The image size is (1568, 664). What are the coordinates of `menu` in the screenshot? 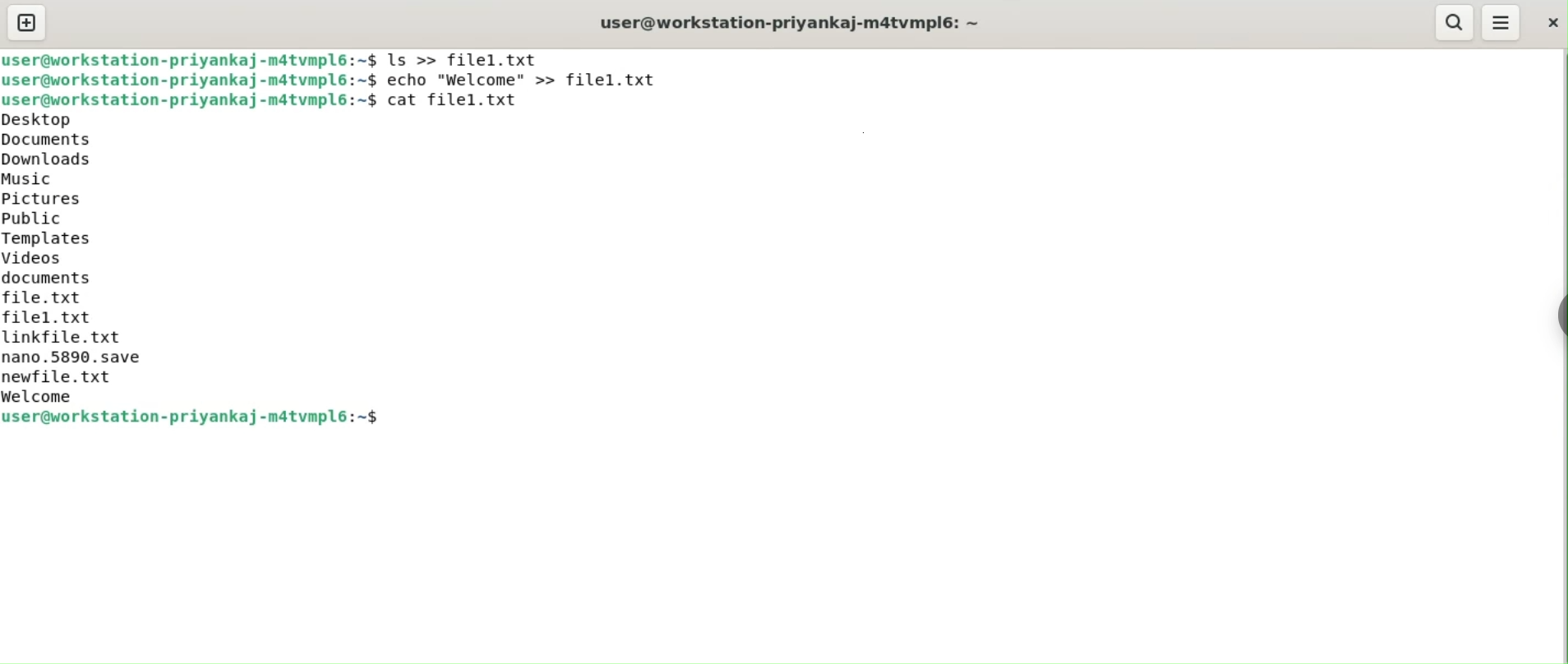 It's located at (1501, 21).